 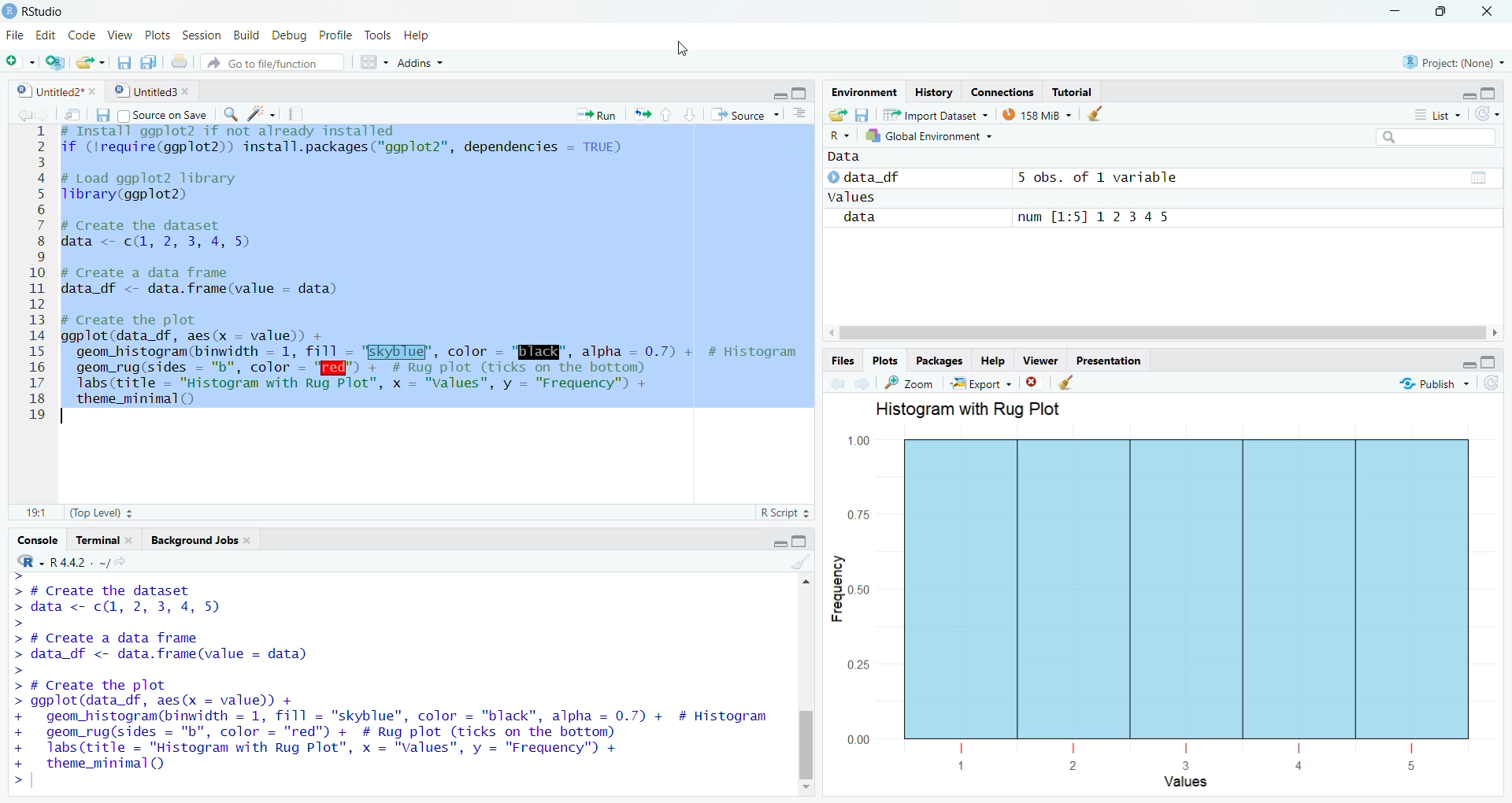 What do you see at coordinates (13, 32) in the screenshot?
I see `File` at bounding box center [13, 32].